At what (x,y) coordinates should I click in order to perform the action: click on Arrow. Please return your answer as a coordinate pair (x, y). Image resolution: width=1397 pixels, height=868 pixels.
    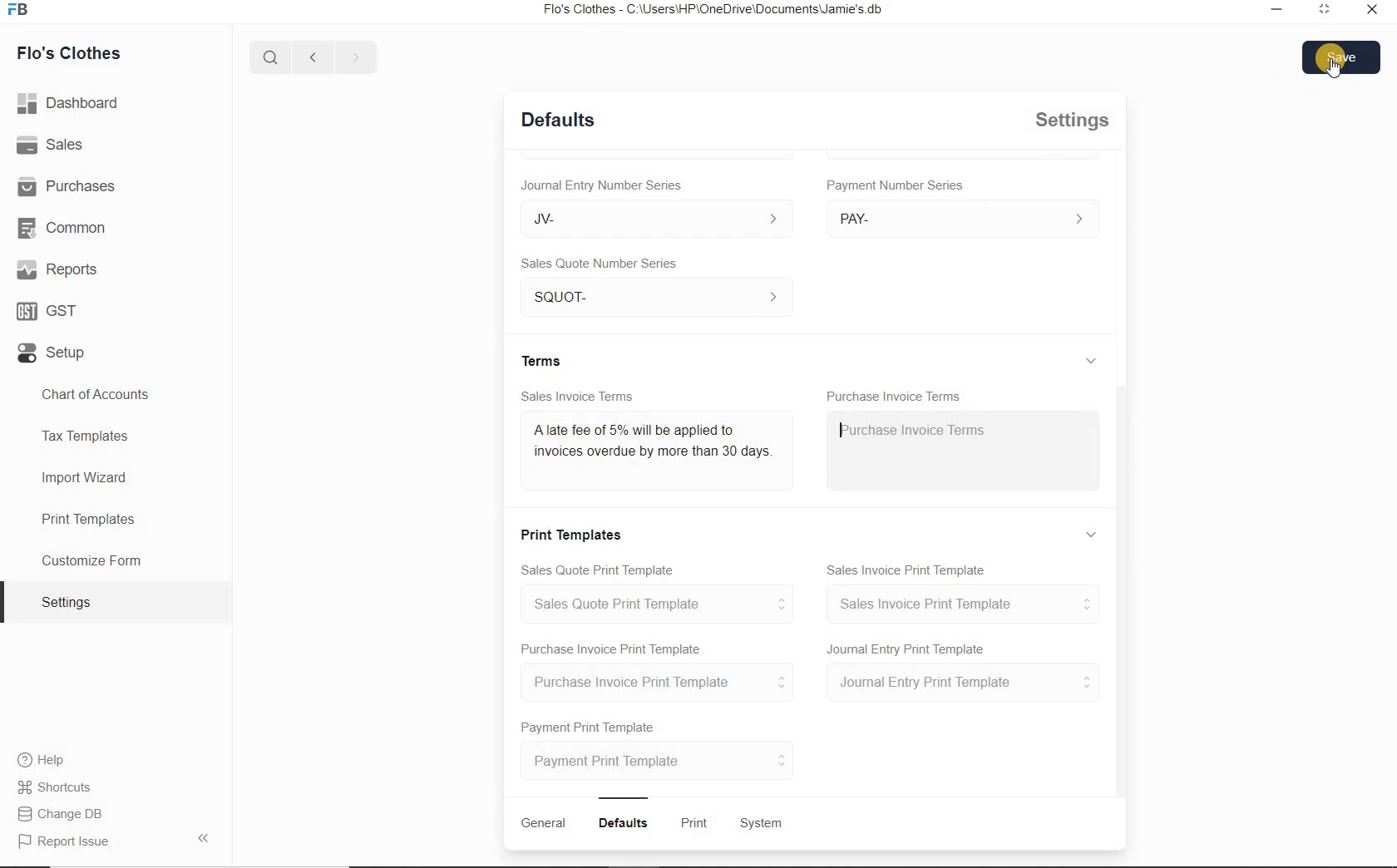
    Looking at the image, I should click on (207, 836).